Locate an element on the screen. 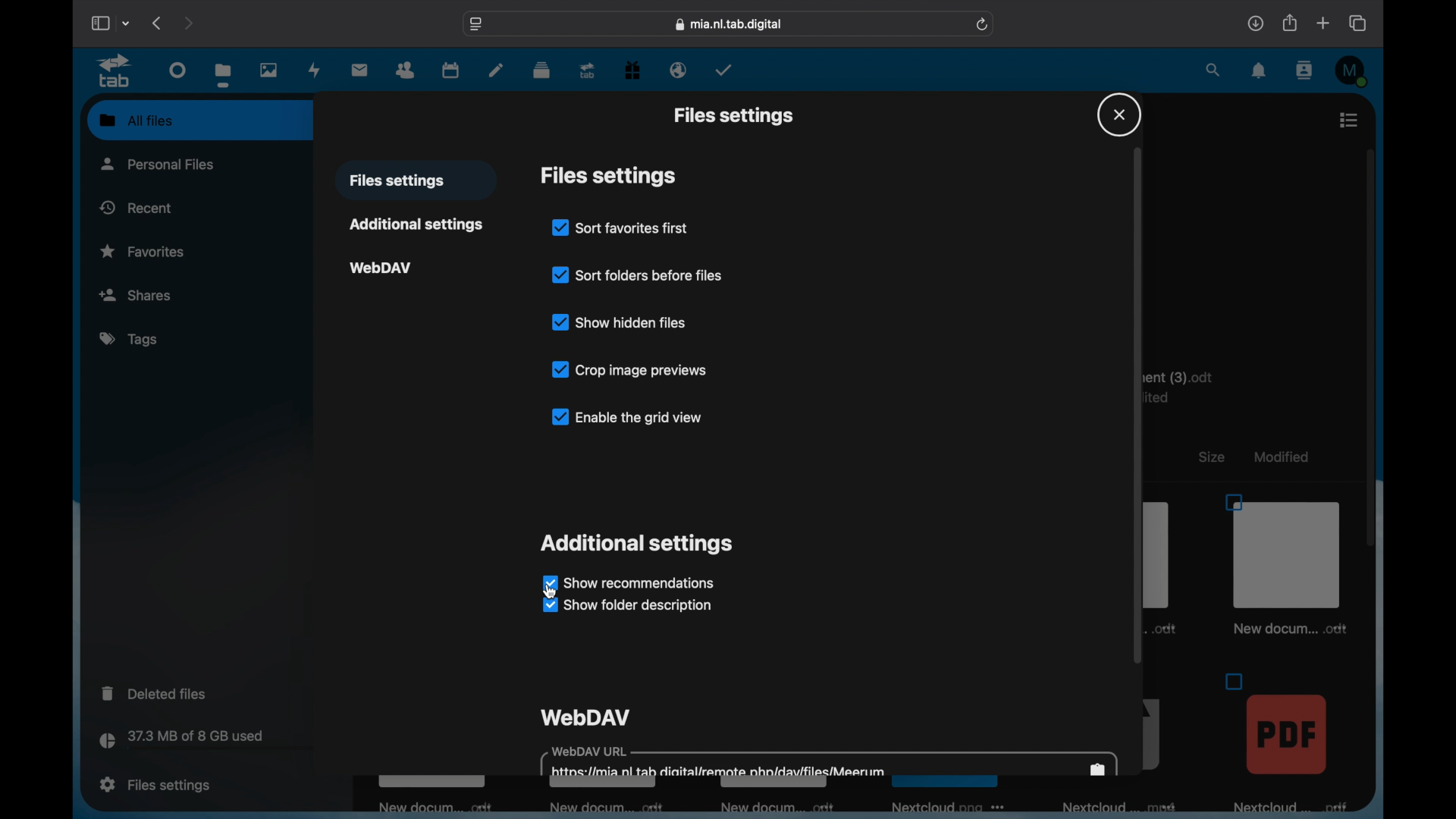 This screenshot has height=819, width=1456. additional settings is located at coordinates (417, 224).